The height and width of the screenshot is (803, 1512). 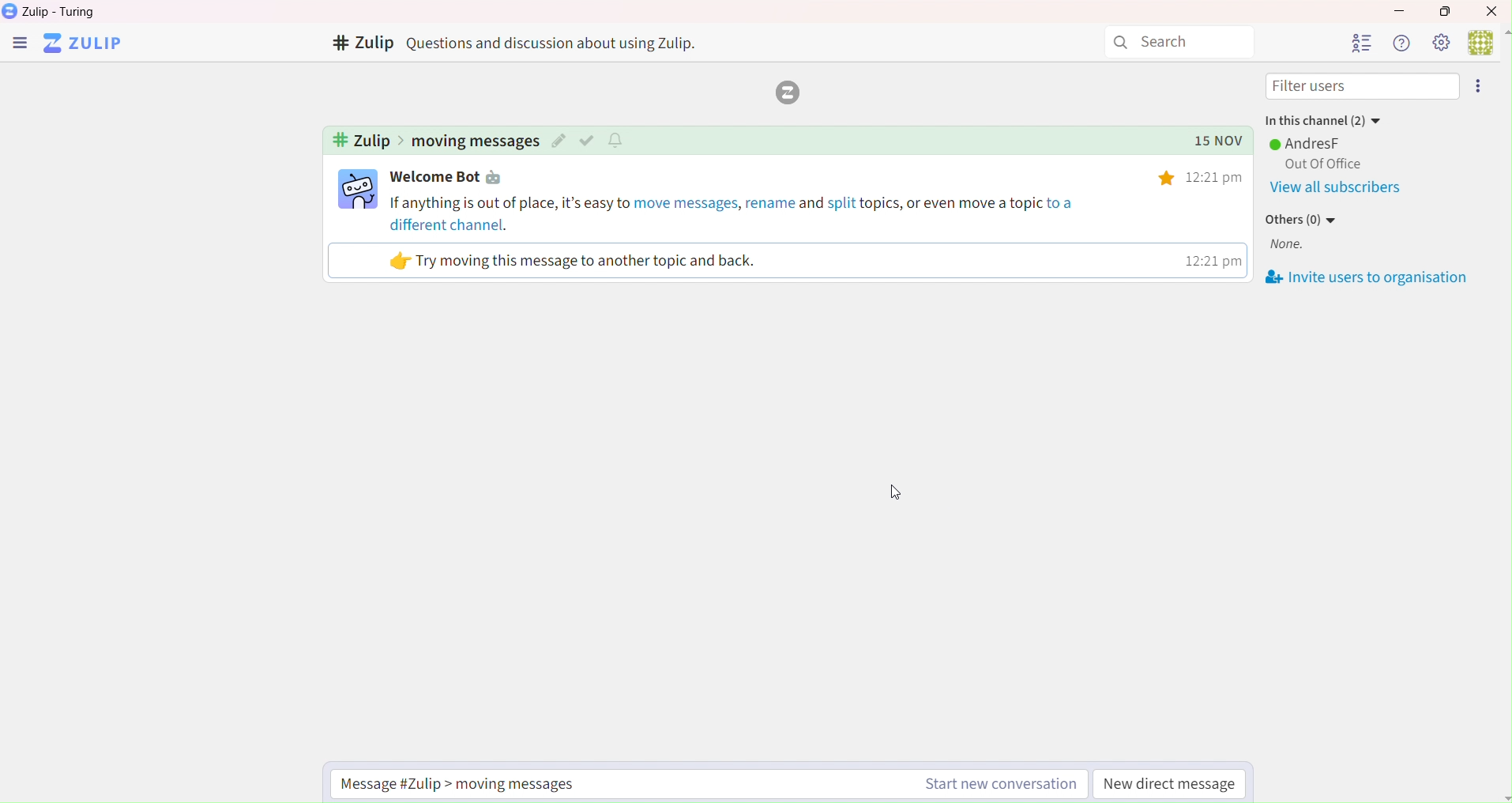 I want to click on Start new conversation, so click(x=997, y=786).